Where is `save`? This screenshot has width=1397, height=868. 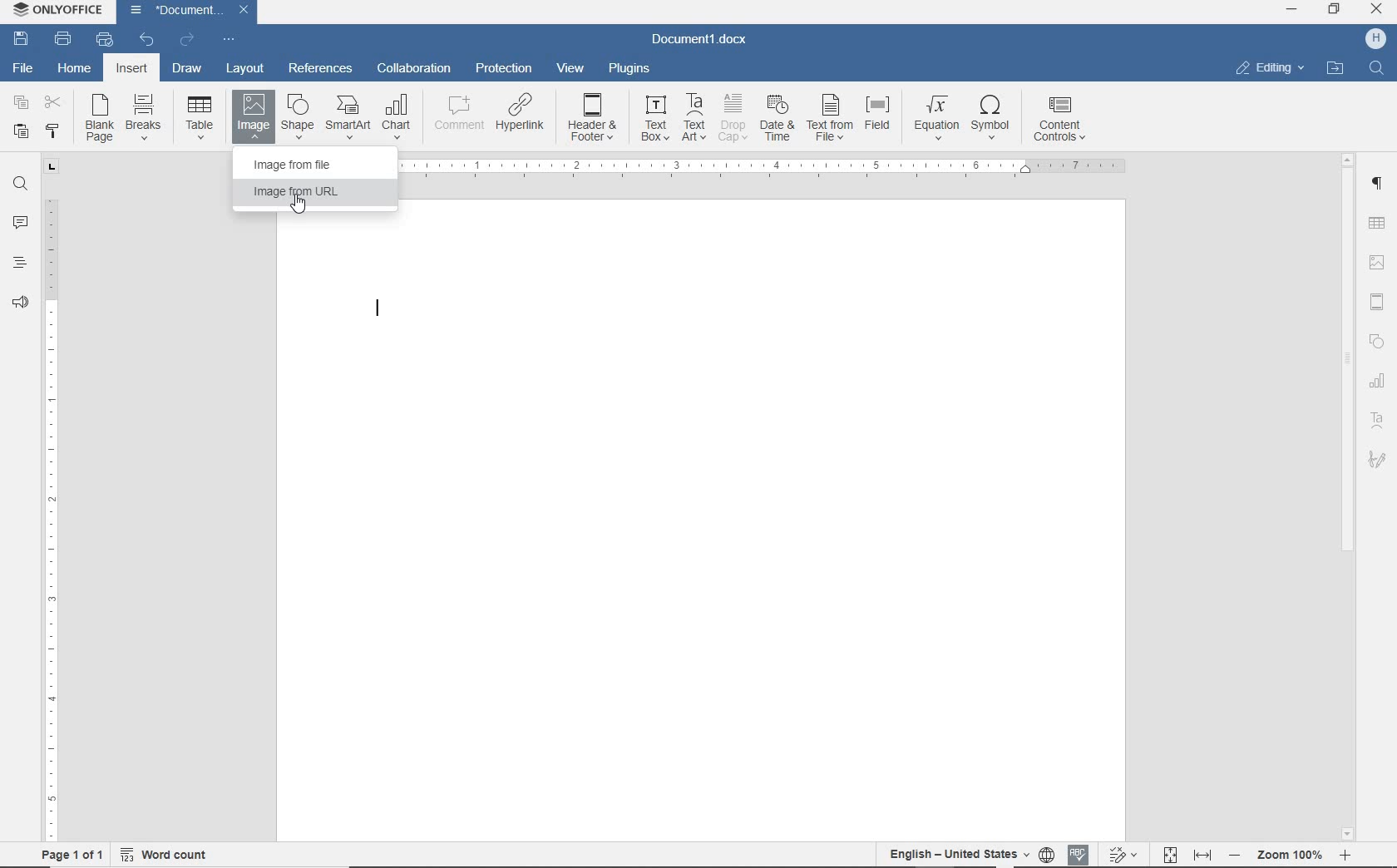 save is located at coordinates (20, 40).